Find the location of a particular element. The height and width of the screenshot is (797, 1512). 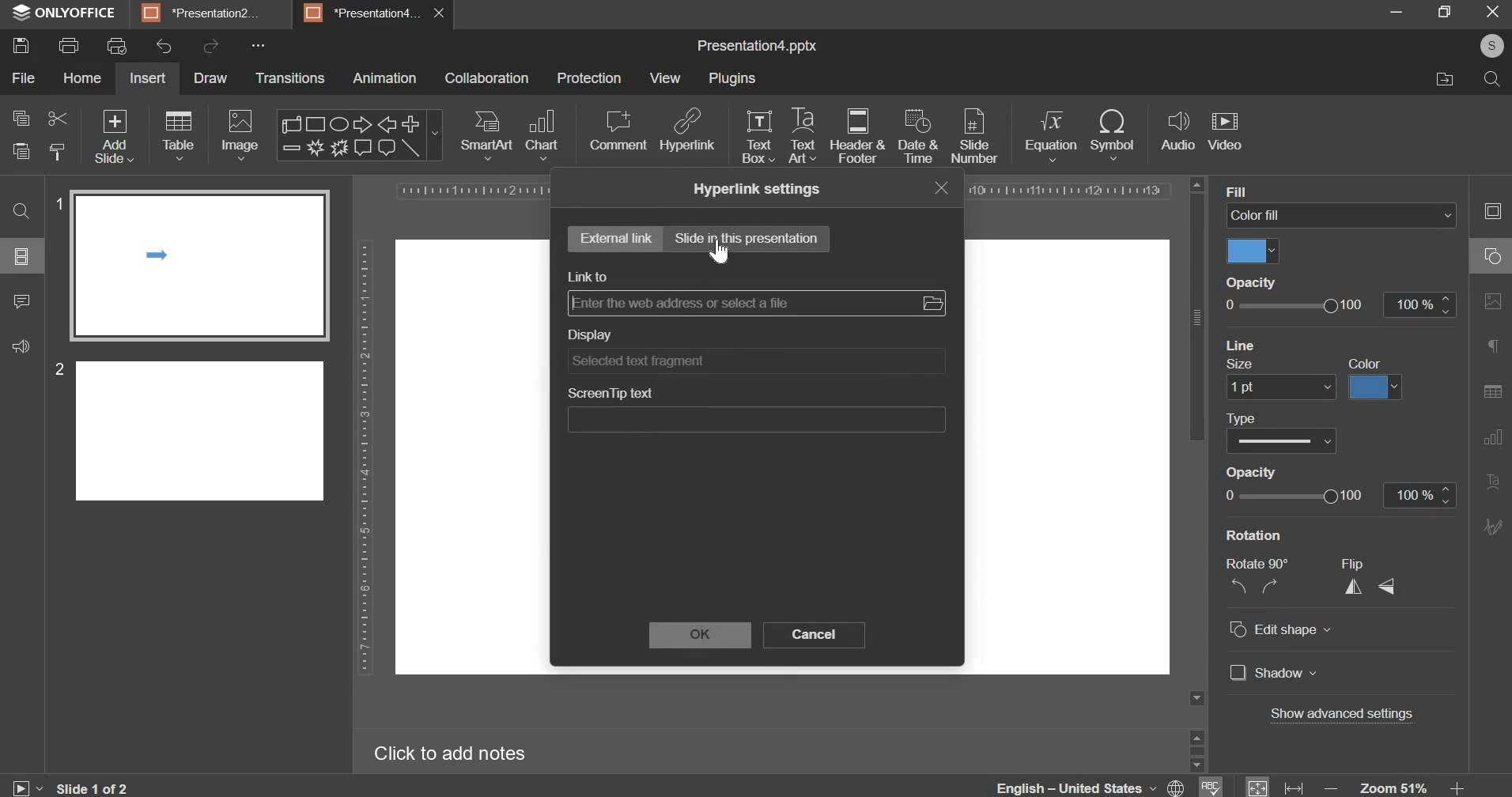

video is located at coordinates (1225, 130).